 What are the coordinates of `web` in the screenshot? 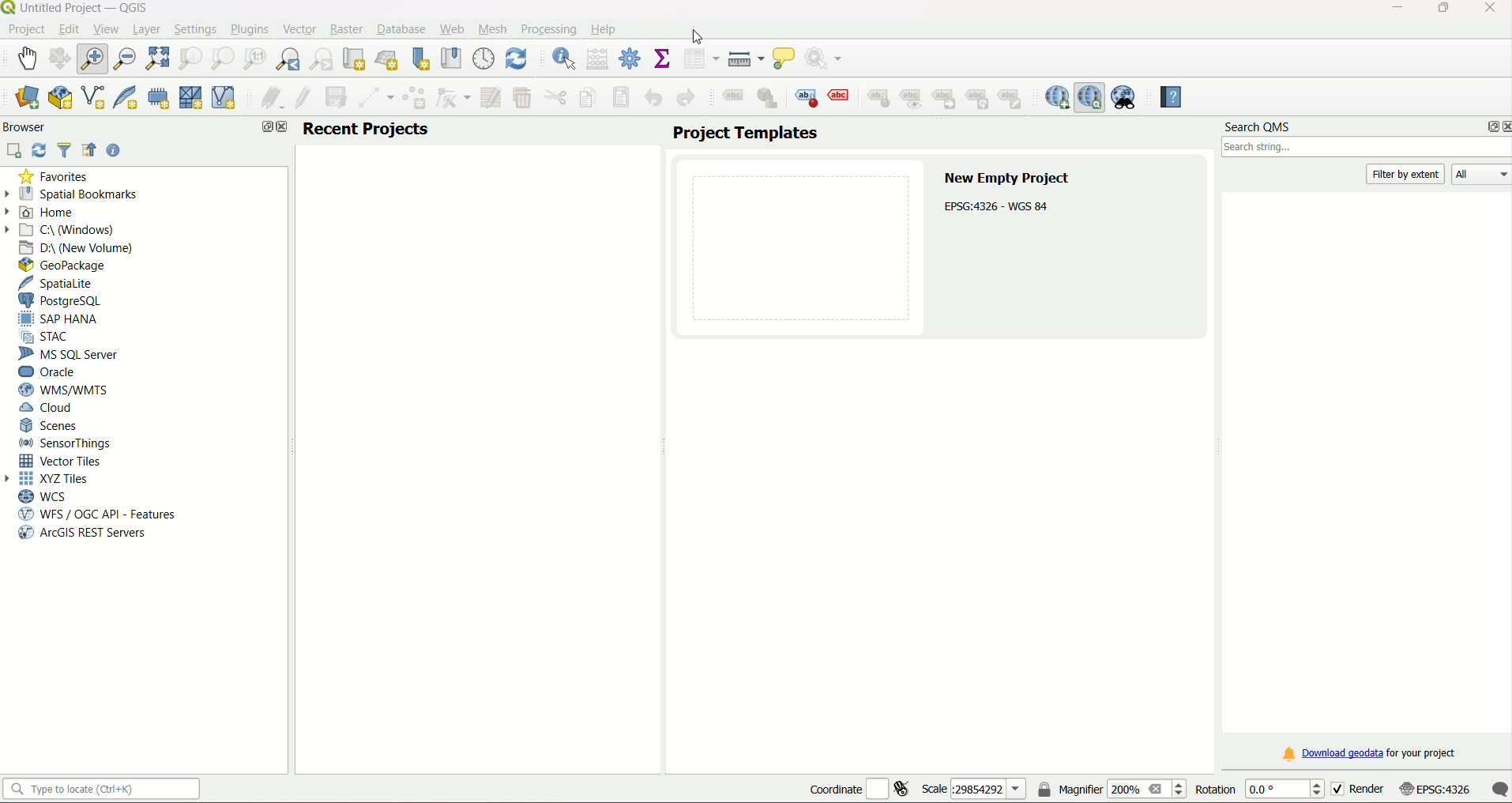 It's located at (452, 29).